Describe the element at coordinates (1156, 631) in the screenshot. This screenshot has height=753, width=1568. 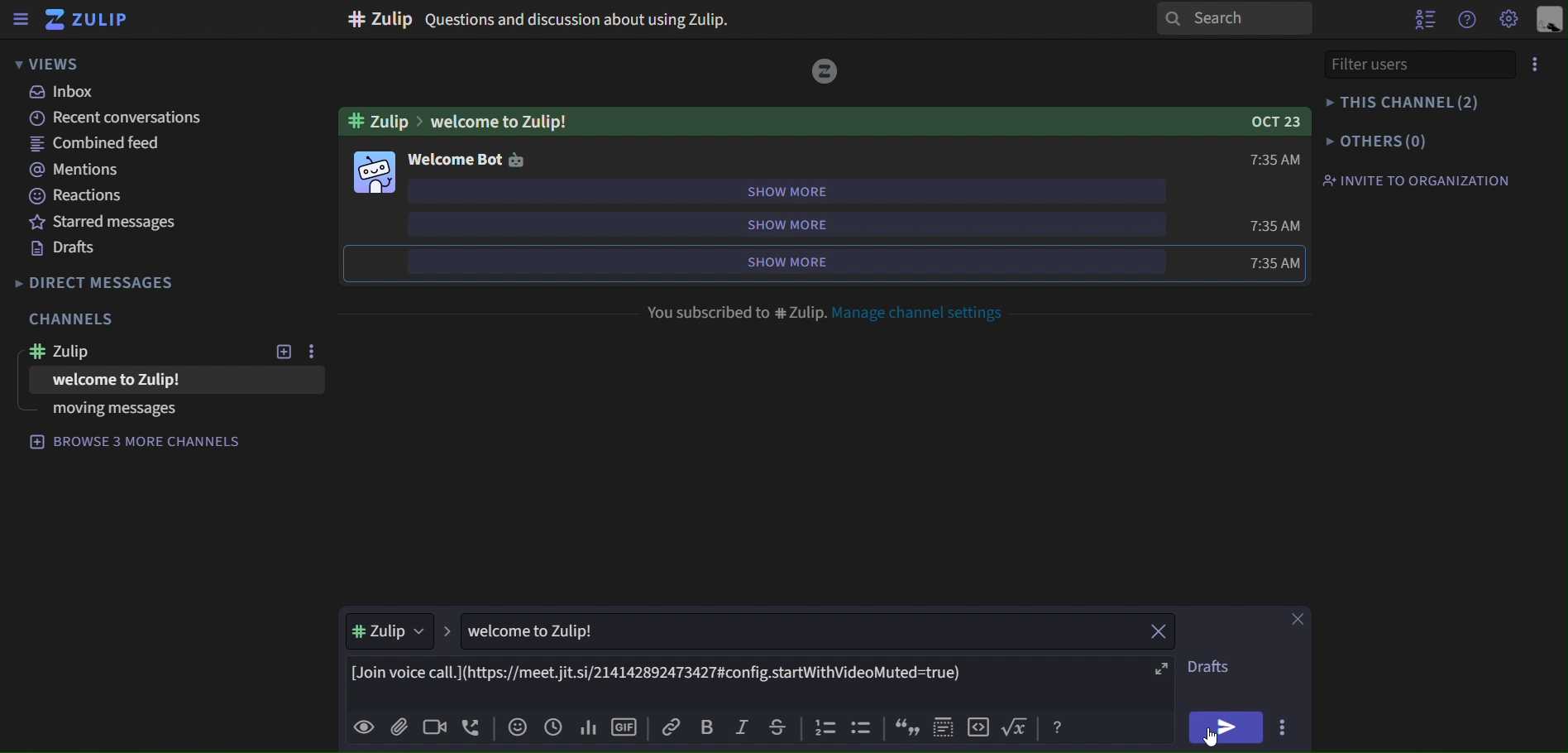
I see `close` at that location.